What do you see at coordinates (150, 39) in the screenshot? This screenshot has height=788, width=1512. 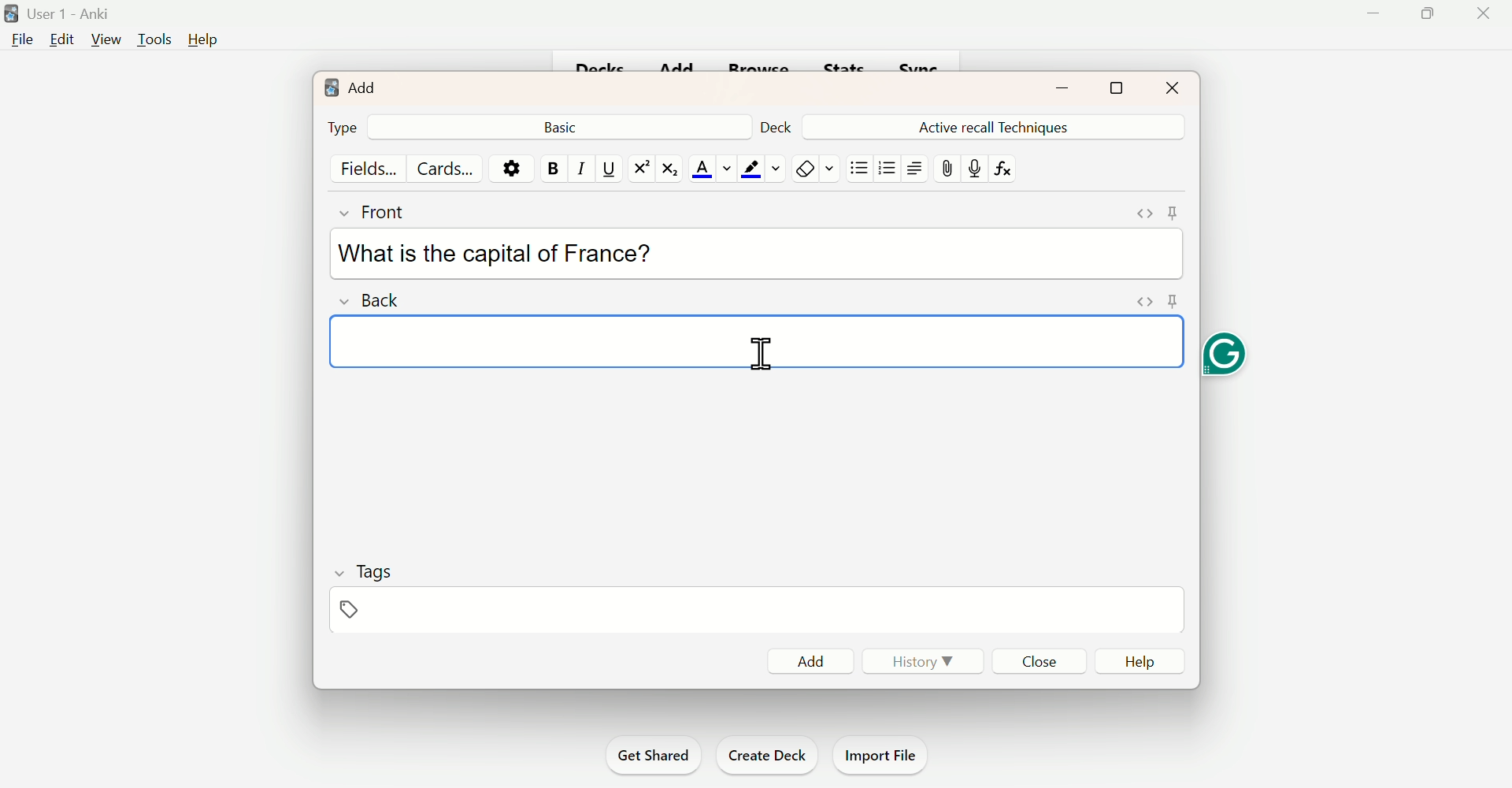 I see `Tools` at bounding box center [150, 39].